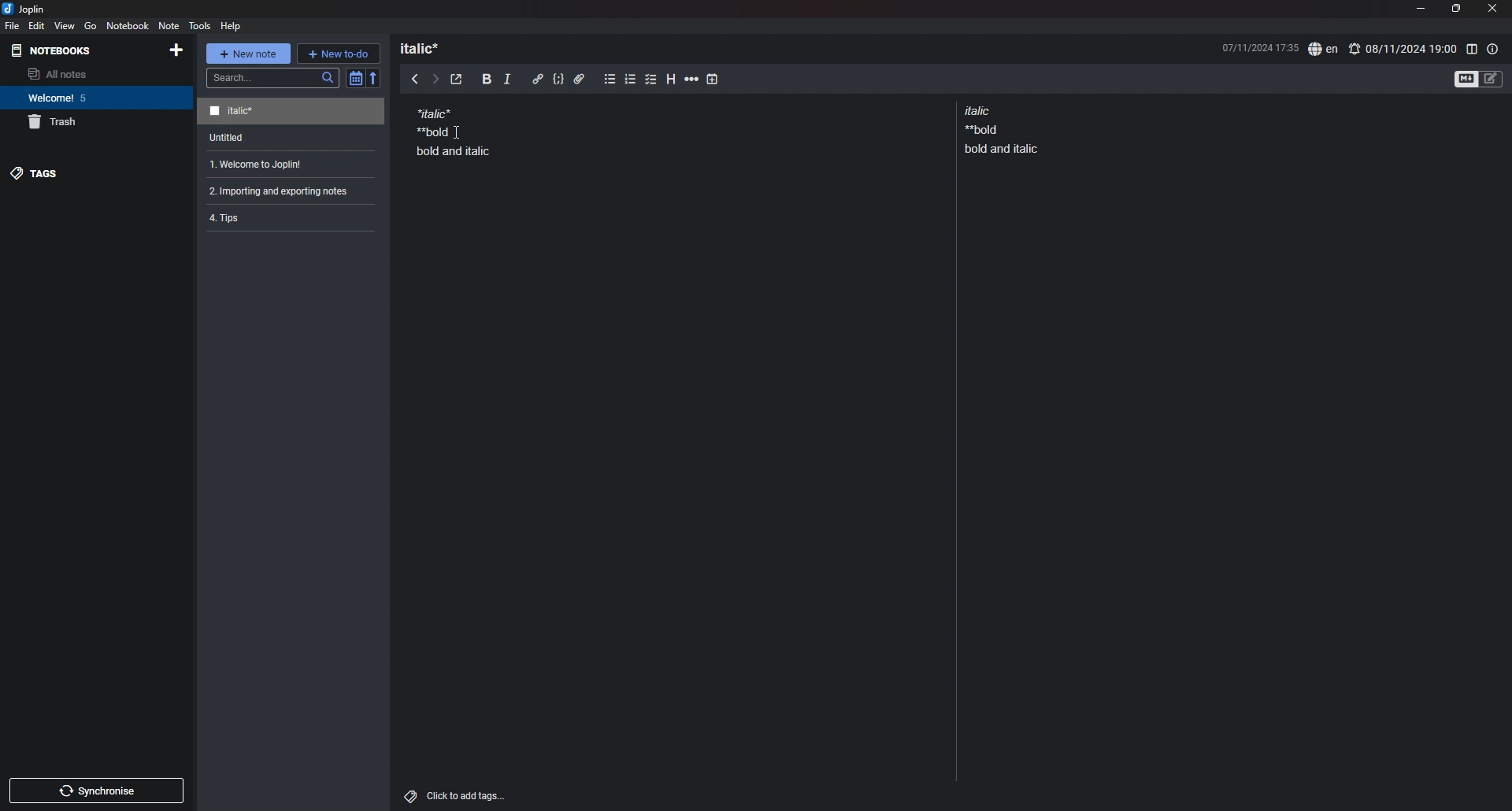  What do you see at coordinates (1455, 9) in the screenshot?
I see `resize` at bounding box center [1455, 9].